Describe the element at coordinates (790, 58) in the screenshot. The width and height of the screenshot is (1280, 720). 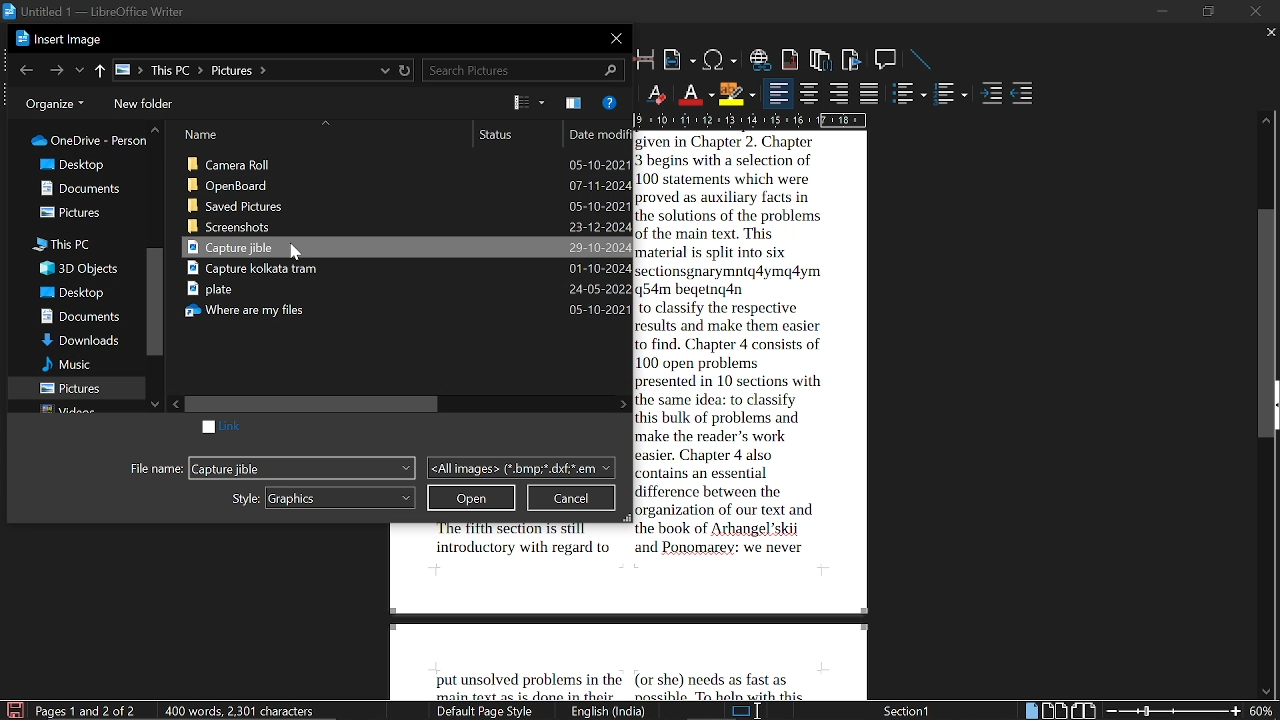
I see `insert footnote` at that location.